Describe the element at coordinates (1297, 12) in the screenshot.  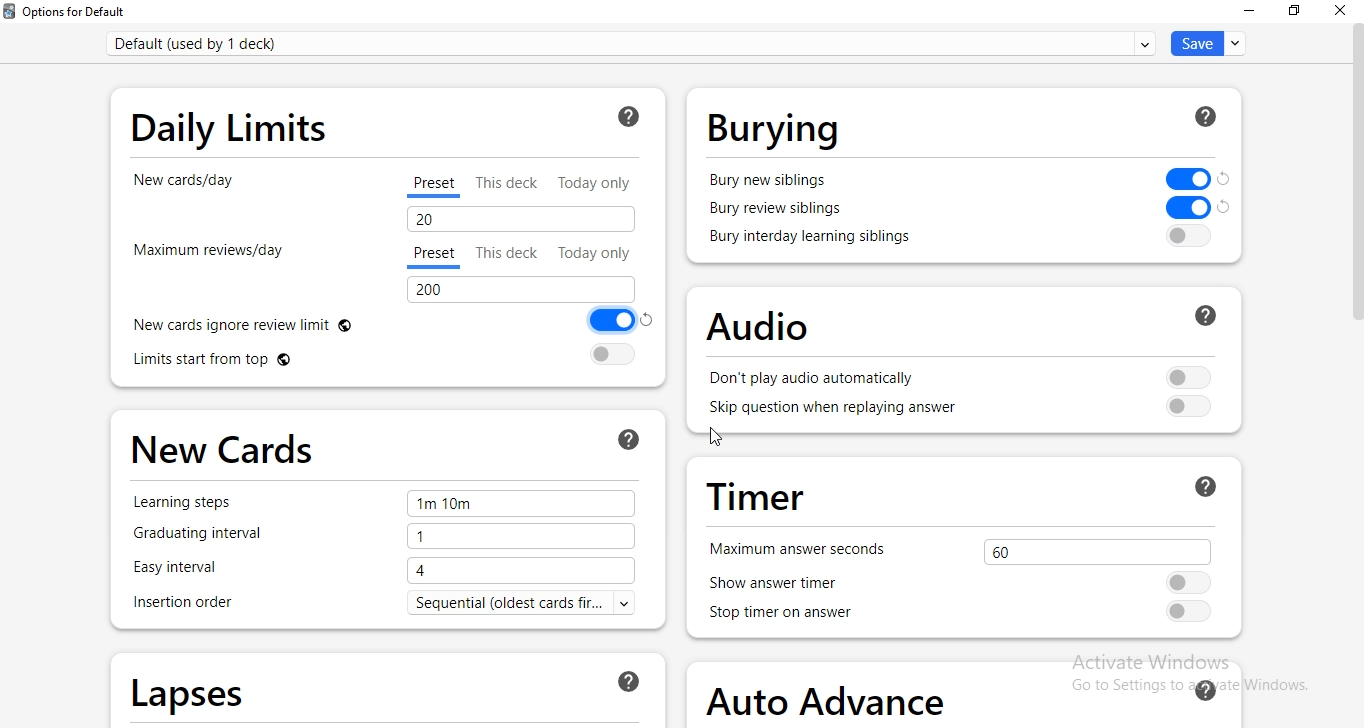
I see `restore` at that location.